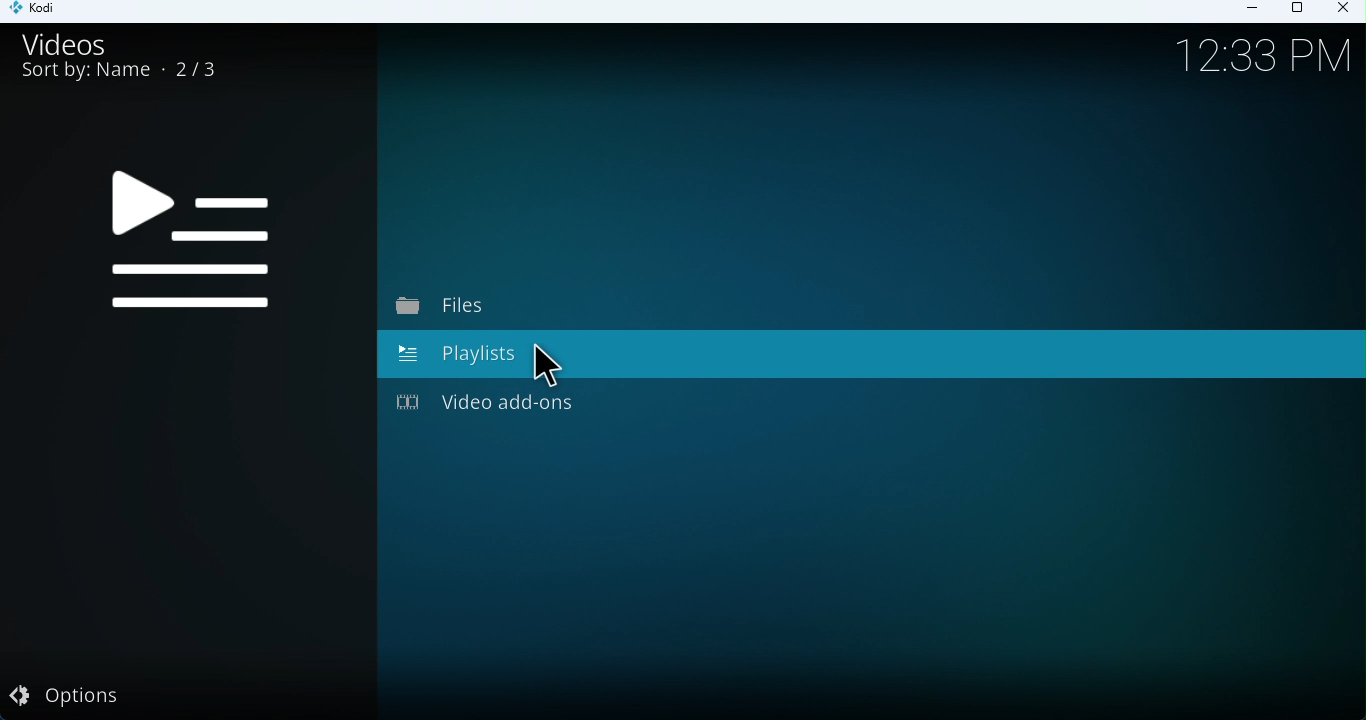 The height and width of the screenshot is (720, 1366). What do you see at coordinates (1256, 13) in the screenshot?
I see `Minimize` at bounding box center [1256, 13].